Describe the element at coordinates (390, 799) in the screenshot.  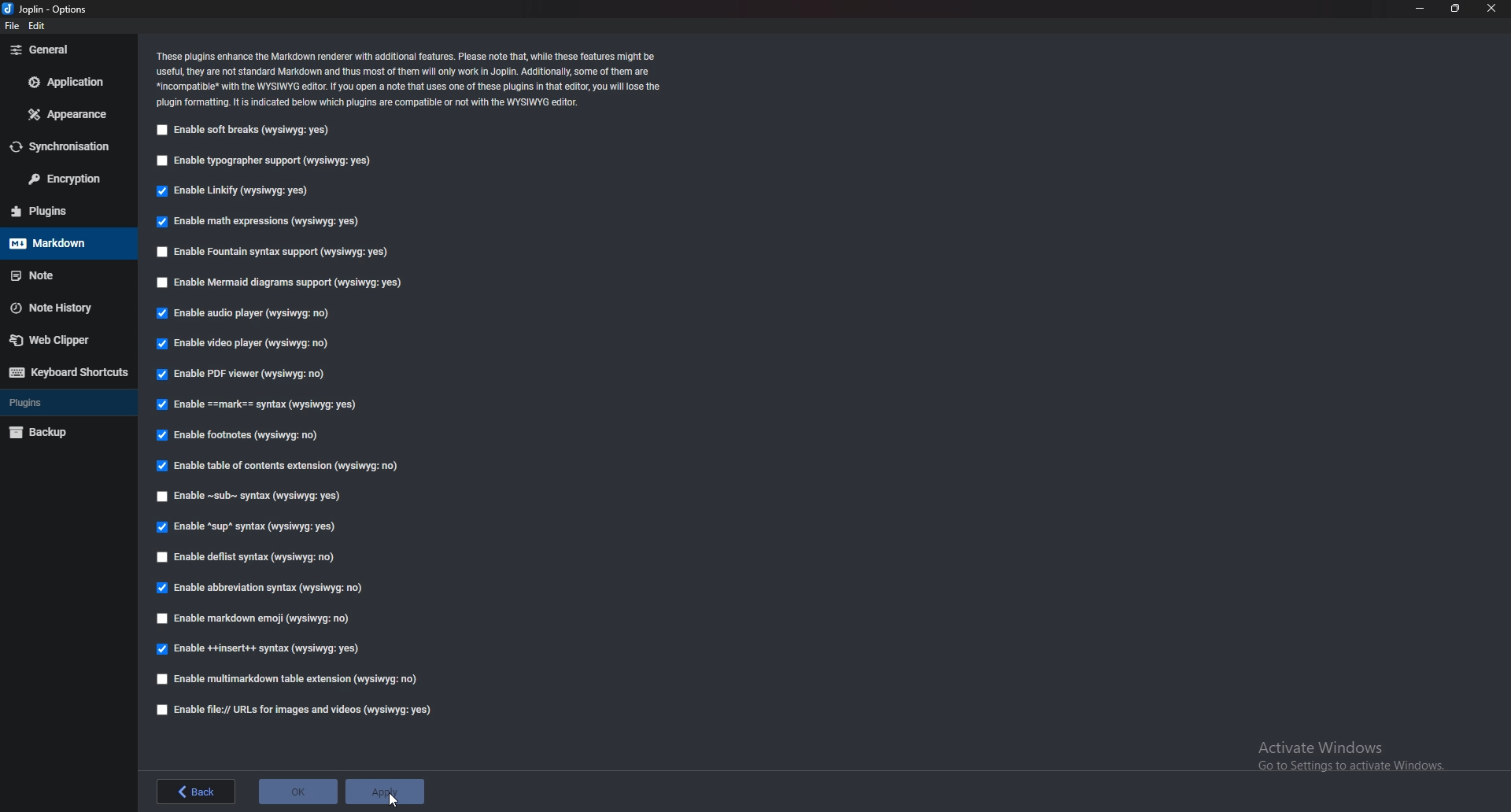
I see `cursor` at that location.